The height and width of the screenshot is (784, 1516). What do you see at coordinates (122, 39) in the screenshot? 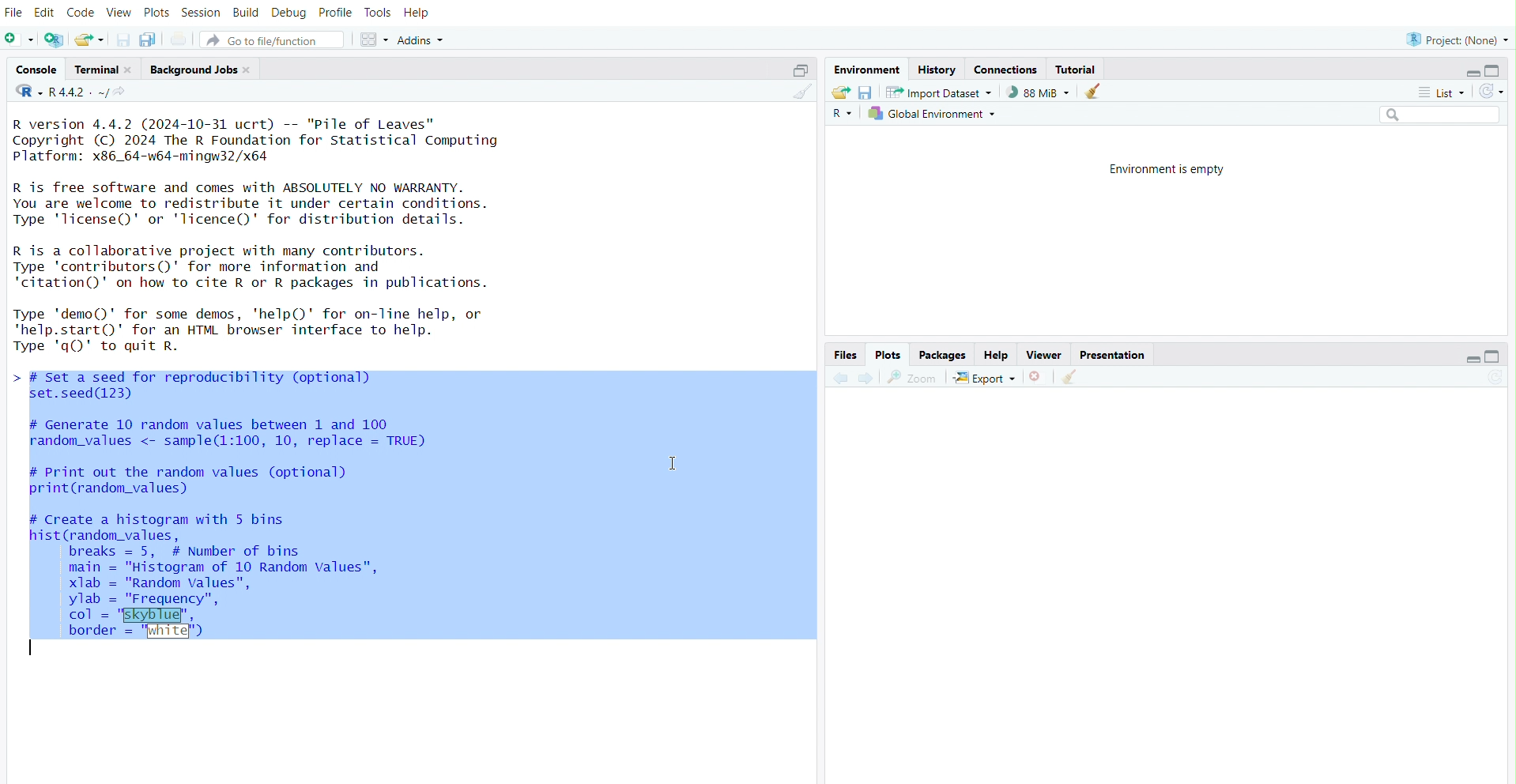
I see `save current document` at bounding box center [122, 39].